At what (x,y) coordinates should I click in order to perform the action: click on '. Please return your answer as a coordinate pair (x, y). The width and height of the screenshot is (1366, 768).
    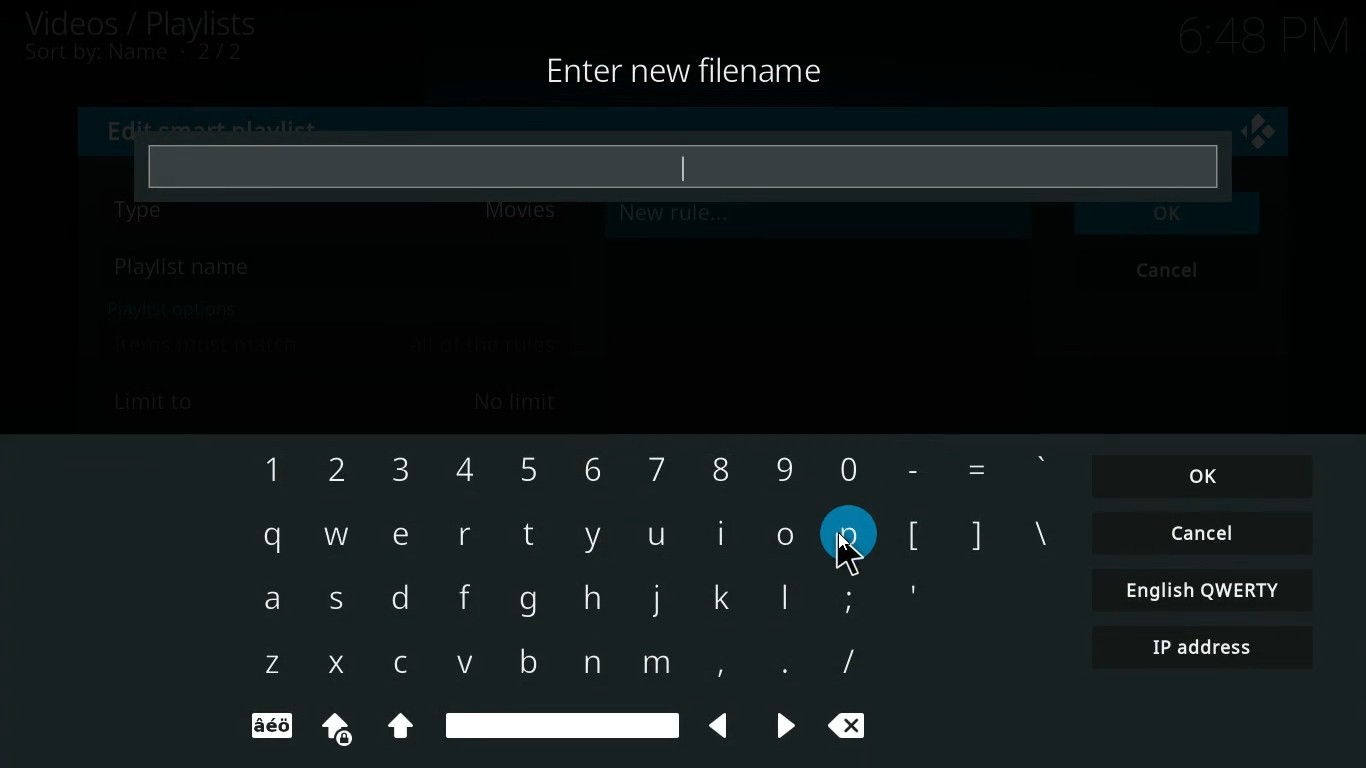
    Looking at the image, I should click on (912, 597).